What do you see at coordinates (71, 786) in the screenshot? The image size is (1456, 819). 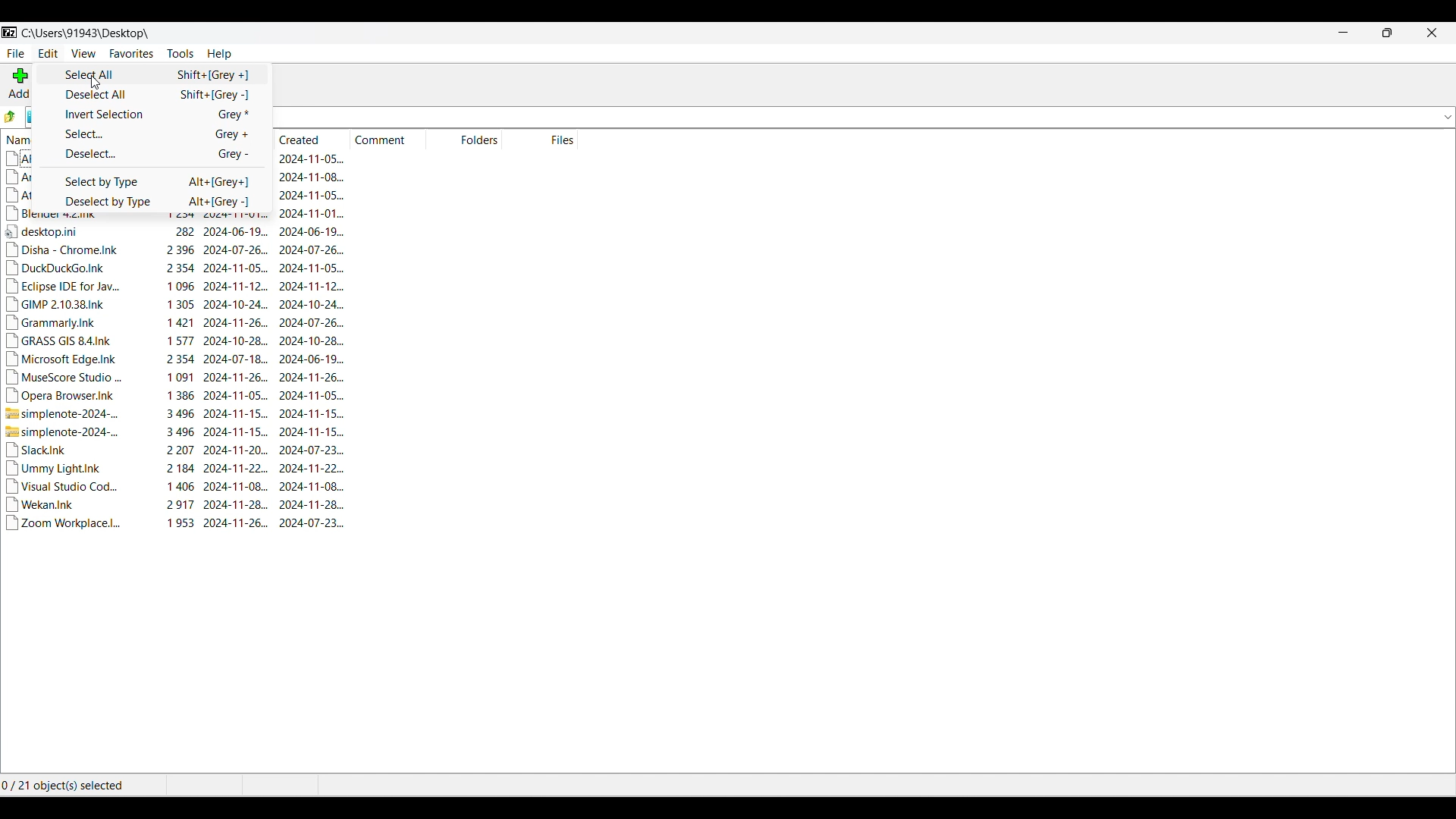 I see `"Number of objects selected out of the total number of objects in the folder"` at bounding box center [71, 786].